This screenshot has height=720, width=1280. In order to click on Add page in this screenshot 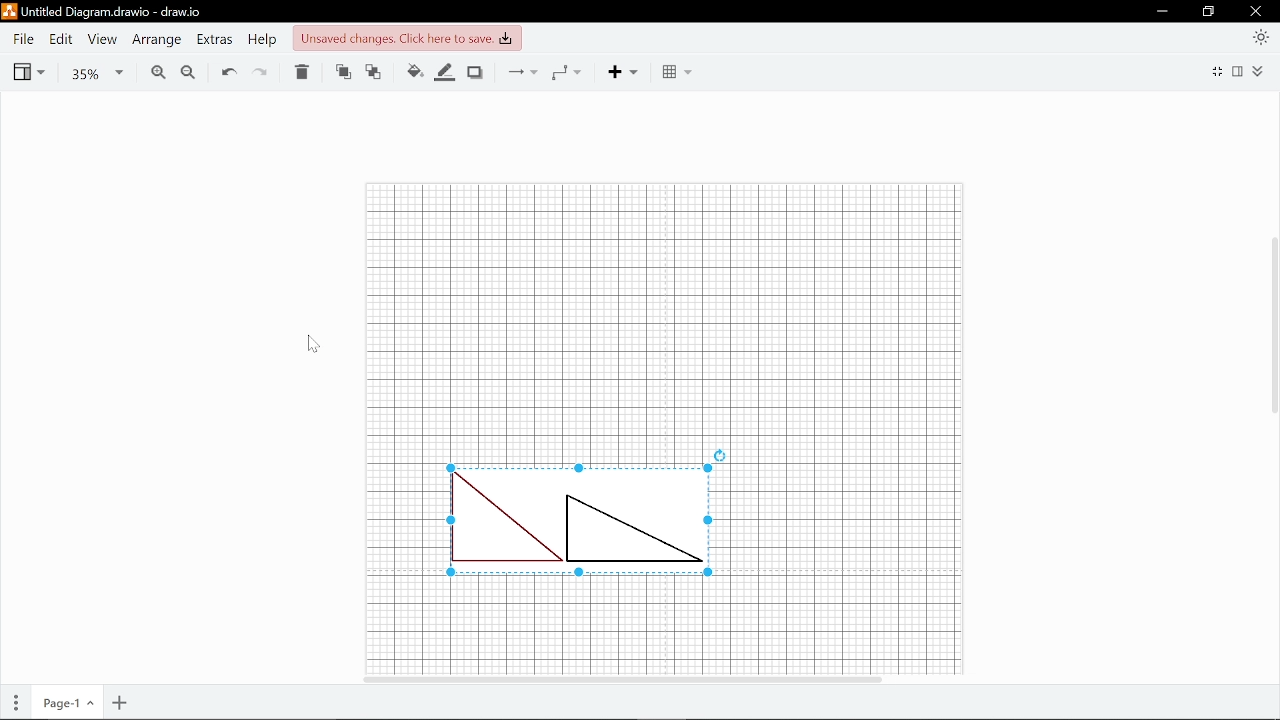, I will do `click(122, 702)`.